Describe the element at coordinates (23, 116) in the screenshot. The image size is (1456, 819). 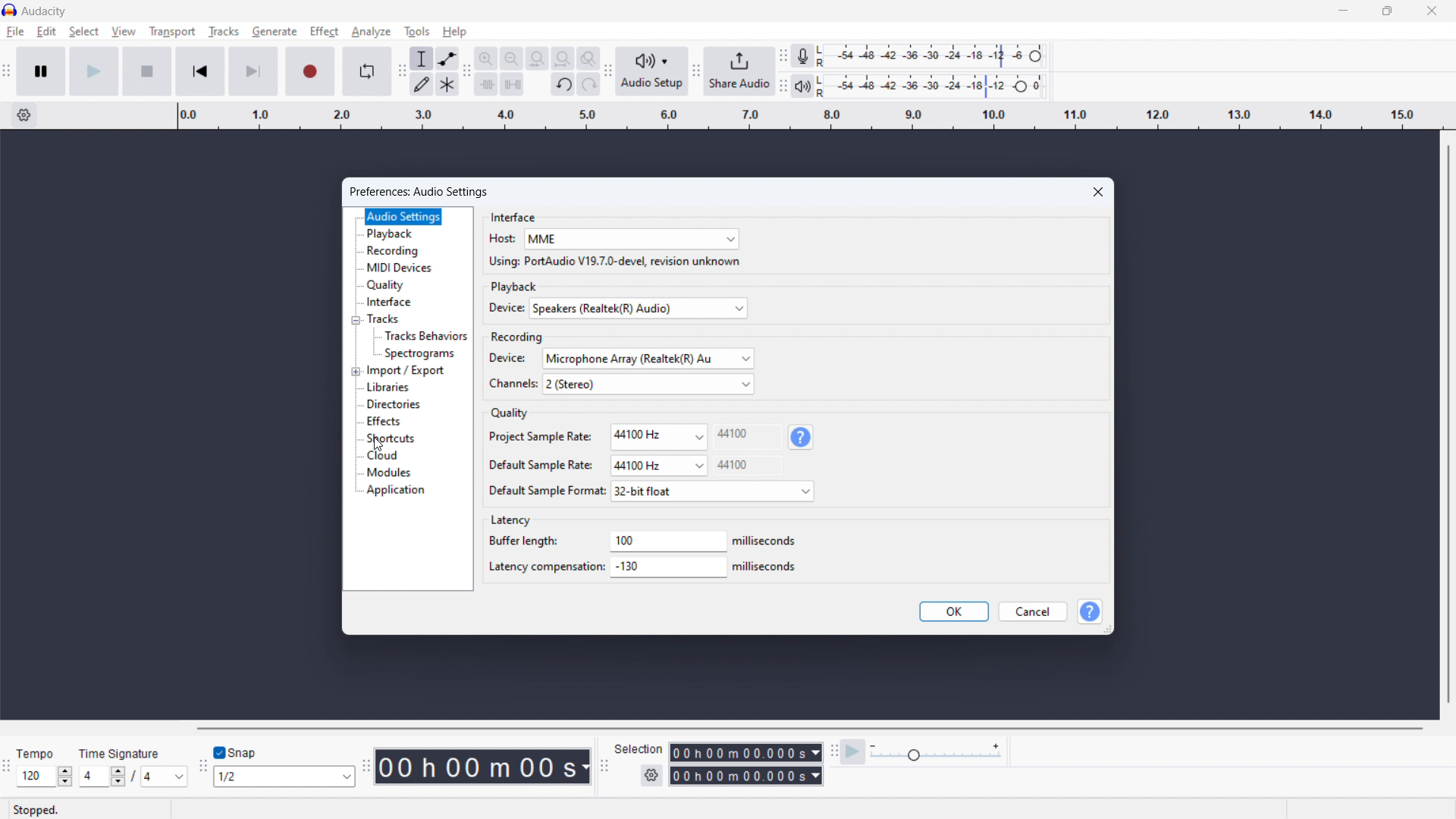
I see `timeline settings` at that location.